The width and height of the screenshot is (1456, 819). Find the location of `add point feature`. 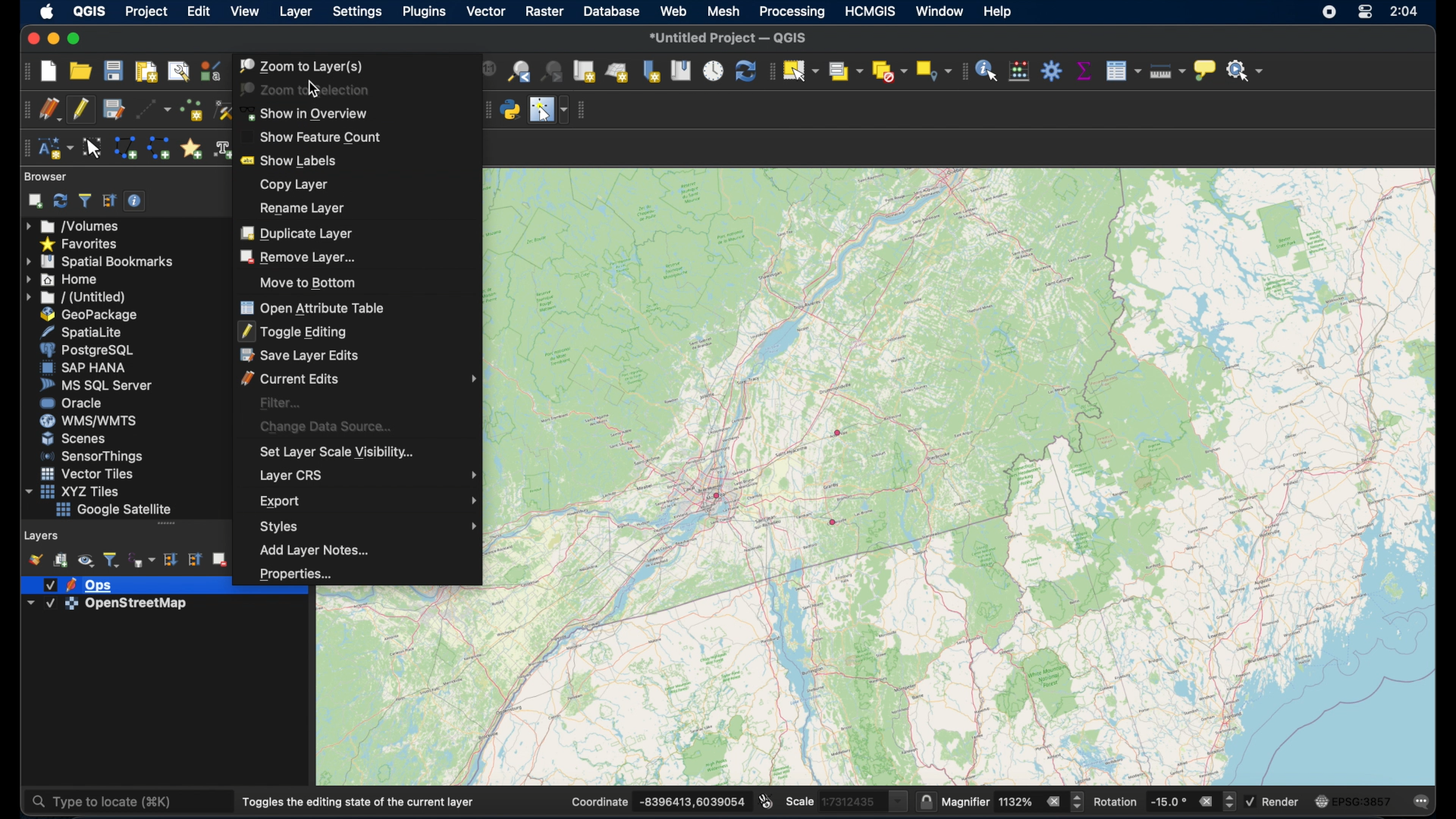

add point feature is located at coordinates (190, 111).